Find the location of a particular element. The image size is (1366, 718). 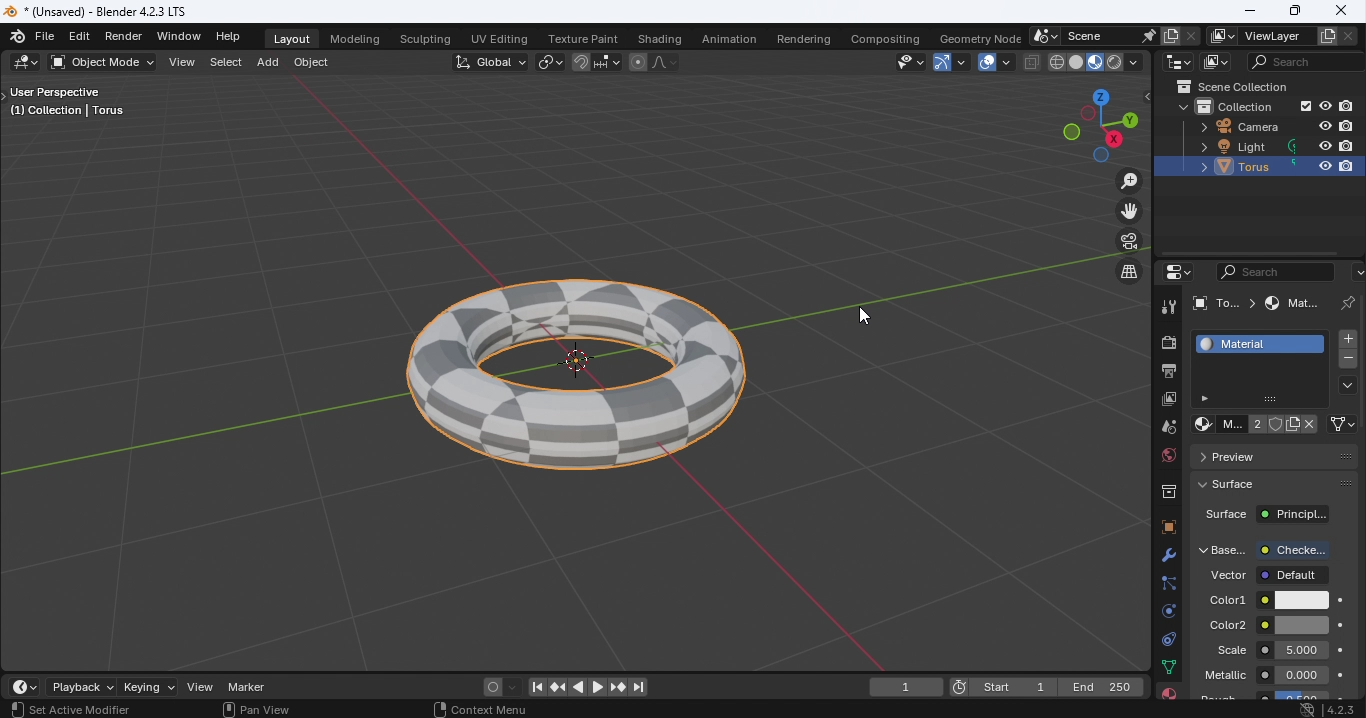

Color1 is located at coordinates (1265, 600).